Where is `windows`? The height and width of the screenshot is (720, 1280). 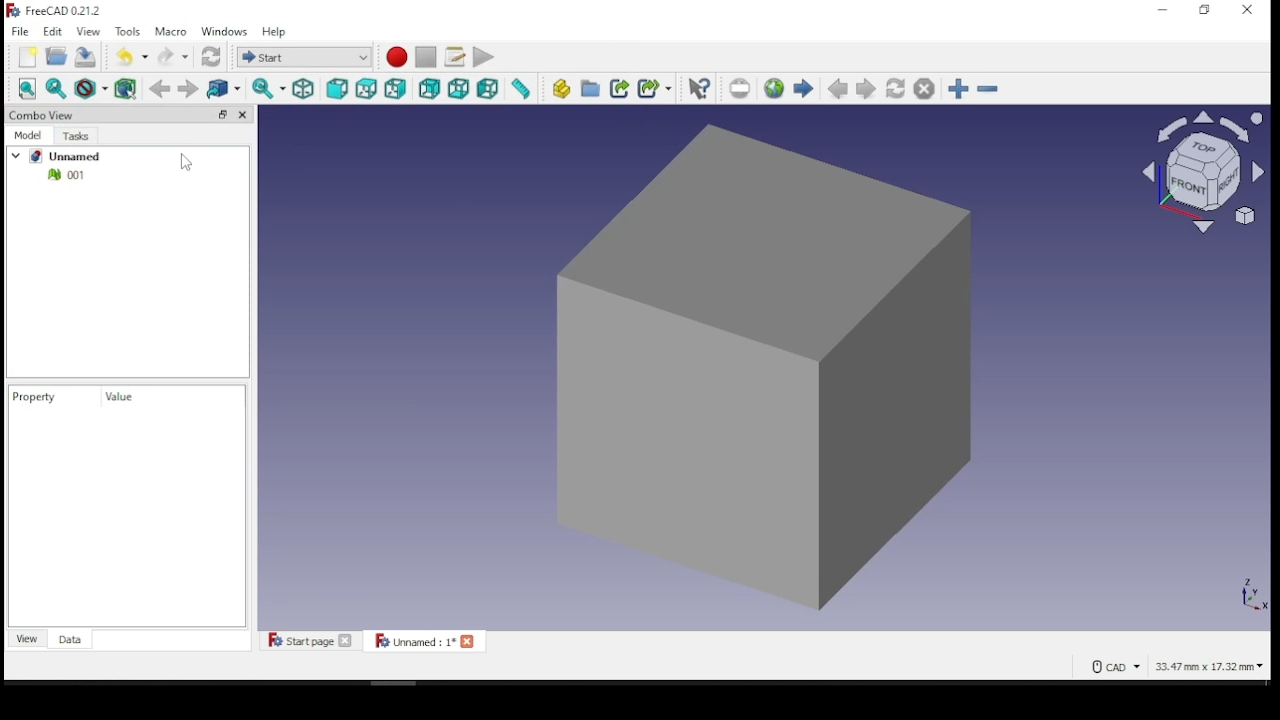 windows is located at coordinates (224, 31).